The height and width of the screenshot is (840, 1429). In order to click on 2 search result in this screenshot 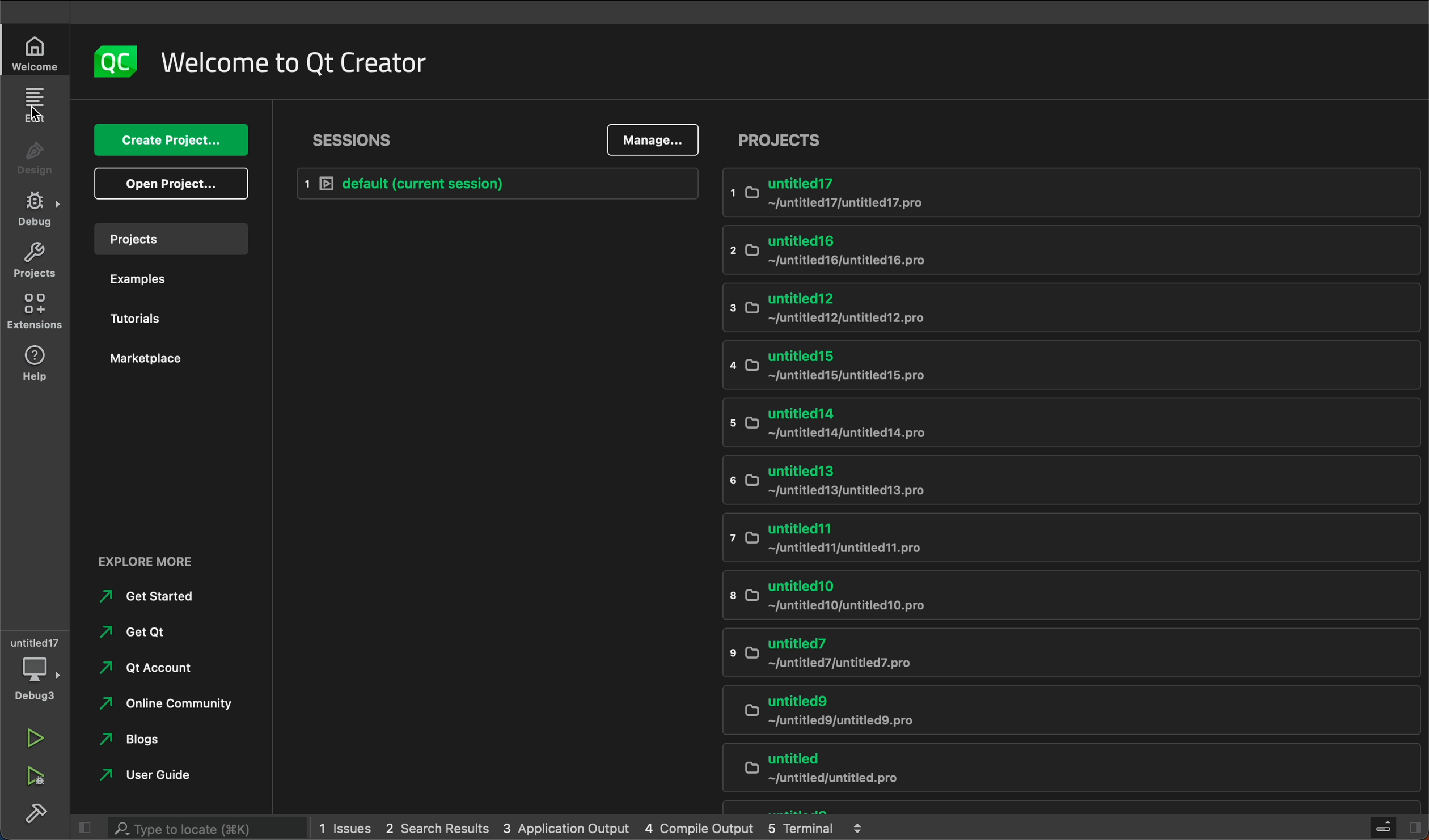, I will do `click(439, 828)`.